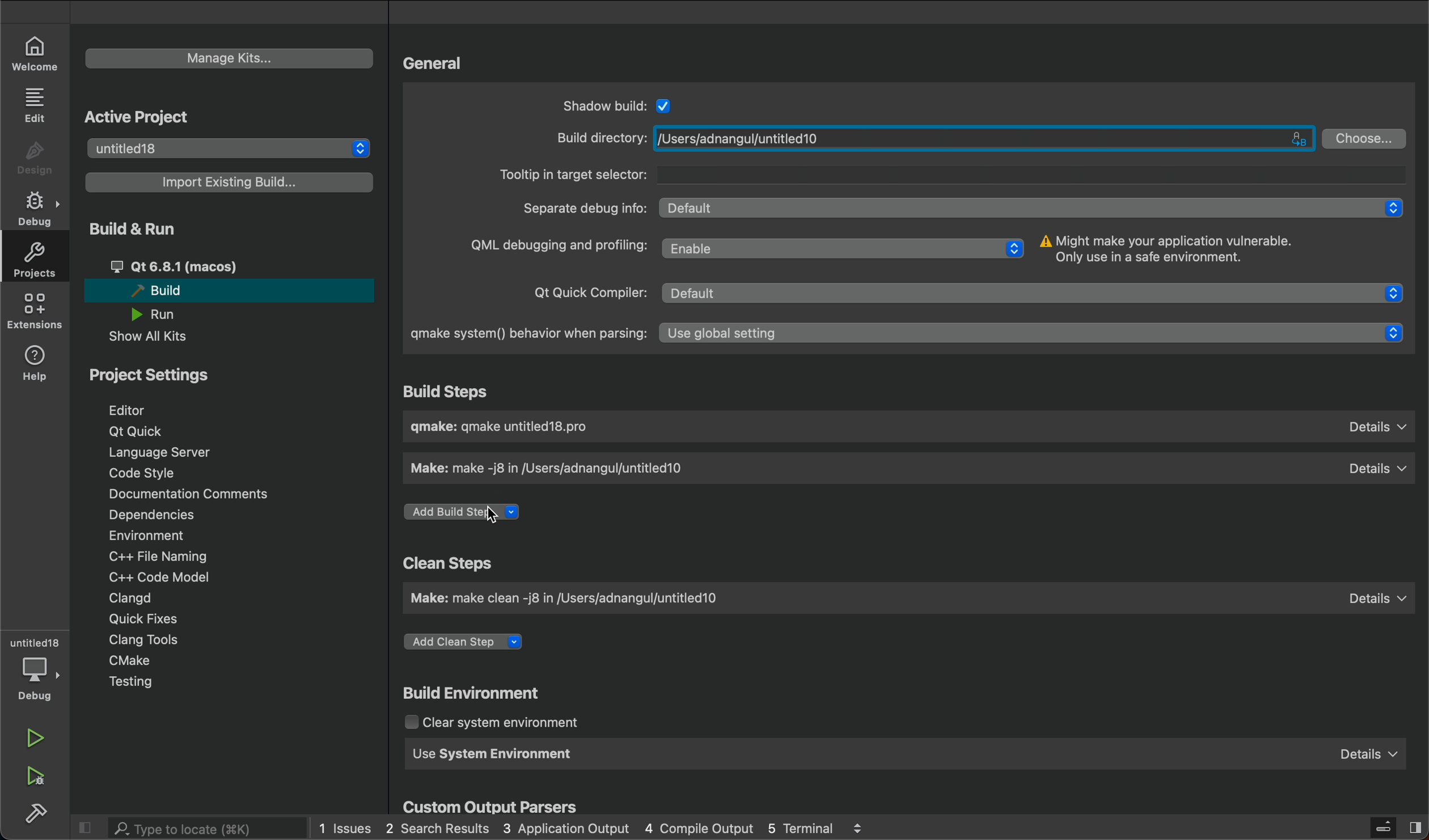  I want to click on gmake system() behavior when parsing:, so click(526, 334).